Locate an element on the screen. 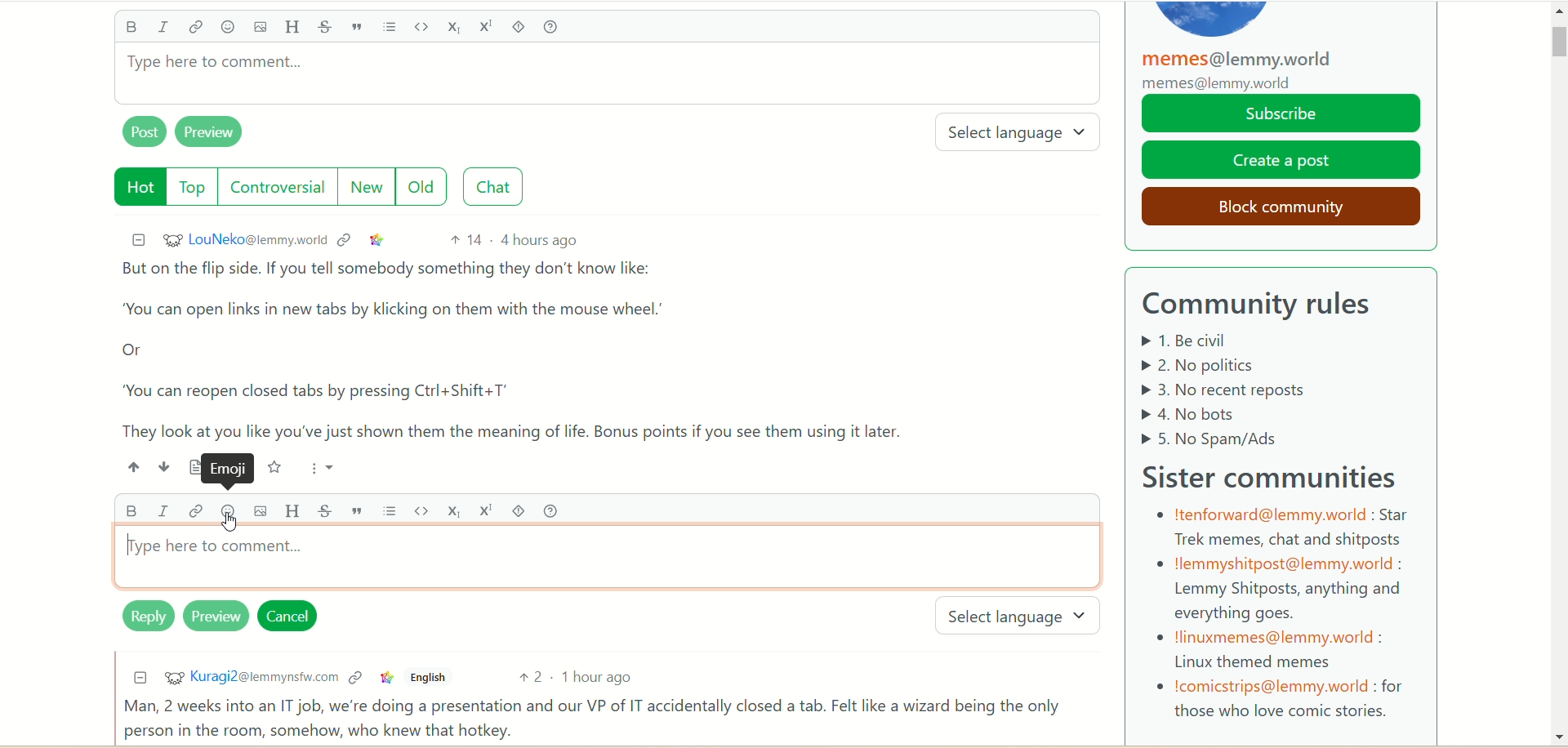 The height and width of the screenshot is (748, 1568). type comment here is located at coordinates (611, 562).